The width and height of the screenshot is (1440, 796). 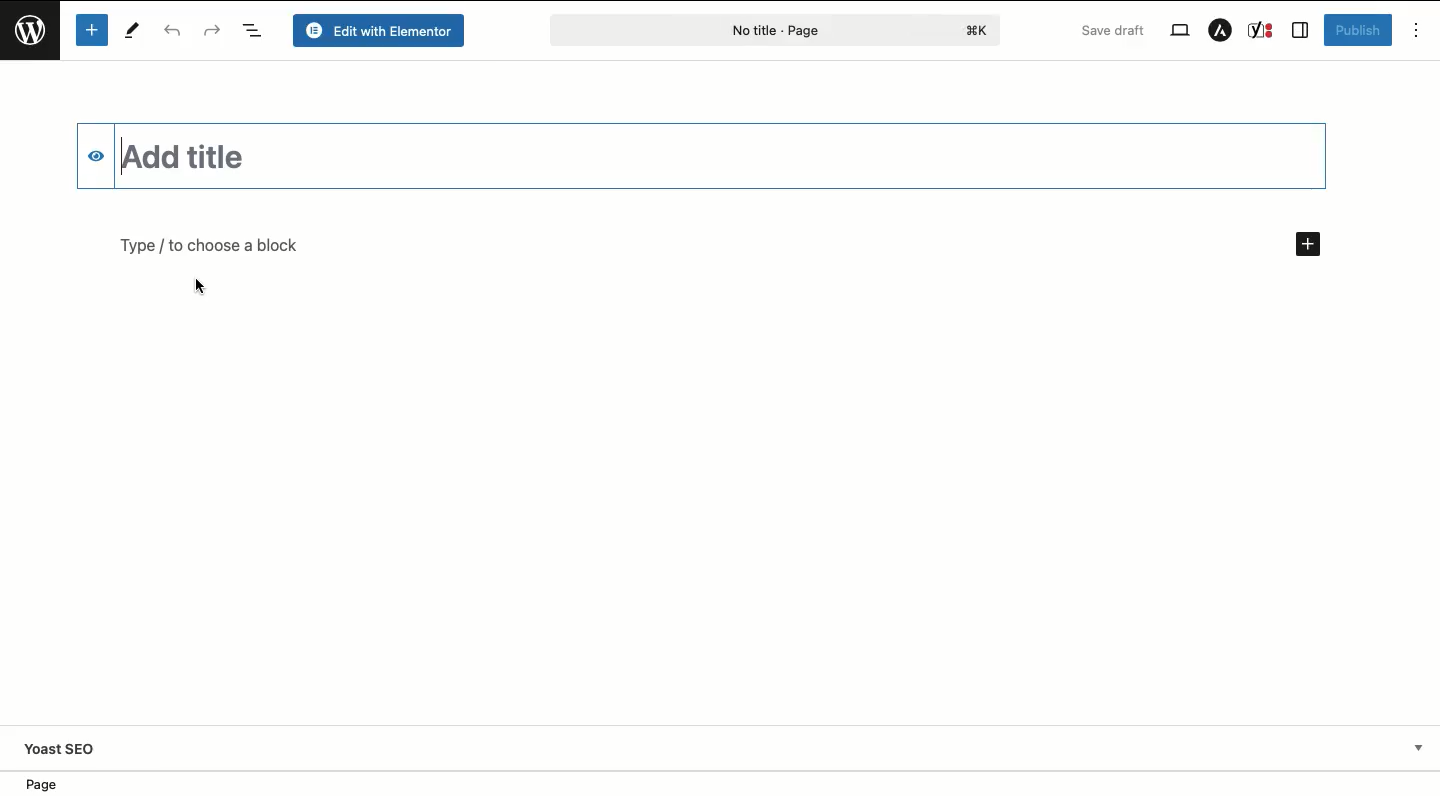 I want to click on Edit with elementor, so click(x=382, y=30).